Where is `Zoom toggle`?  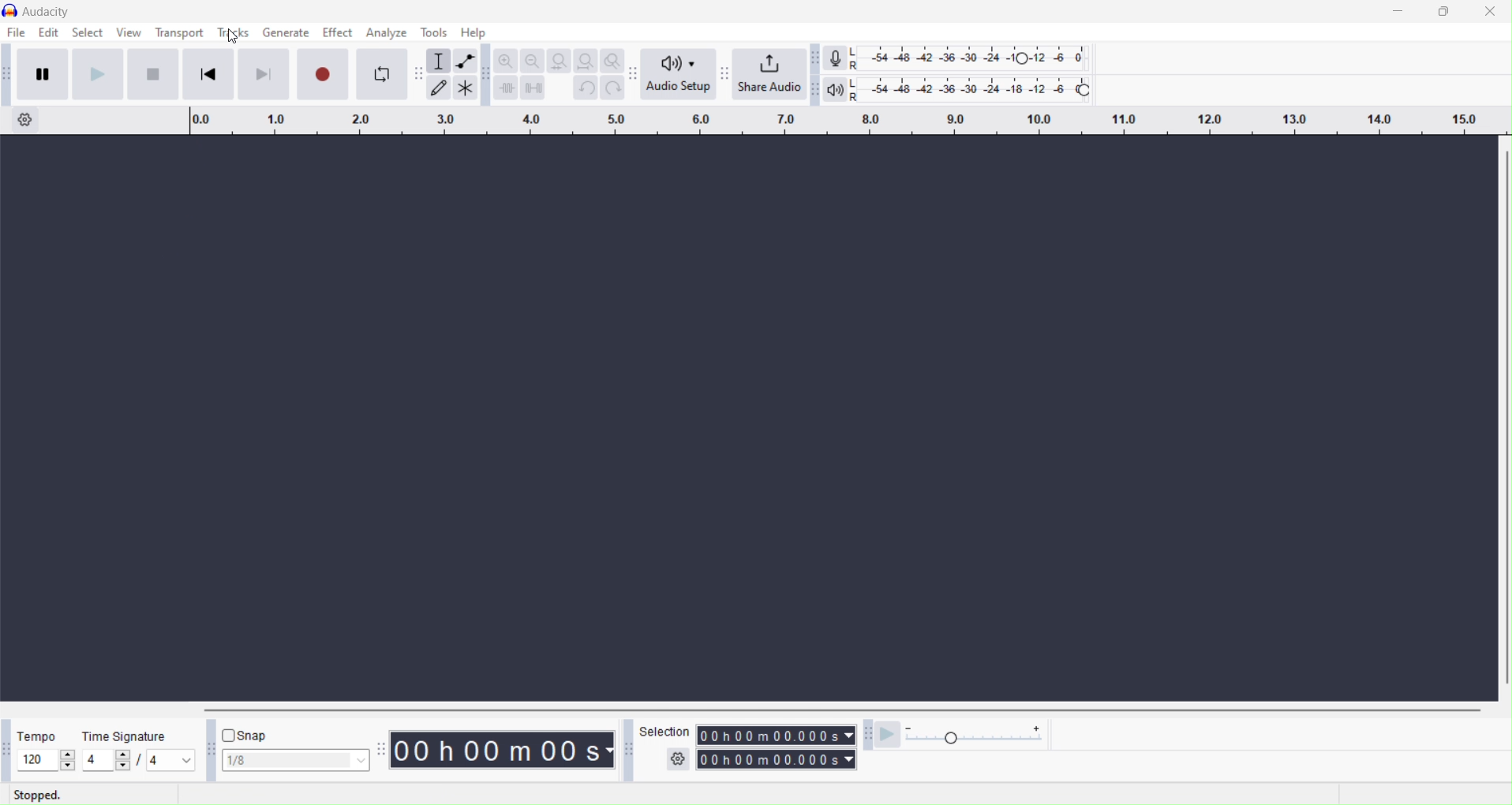
Zoom toggle is located at coordinates (613, 61).